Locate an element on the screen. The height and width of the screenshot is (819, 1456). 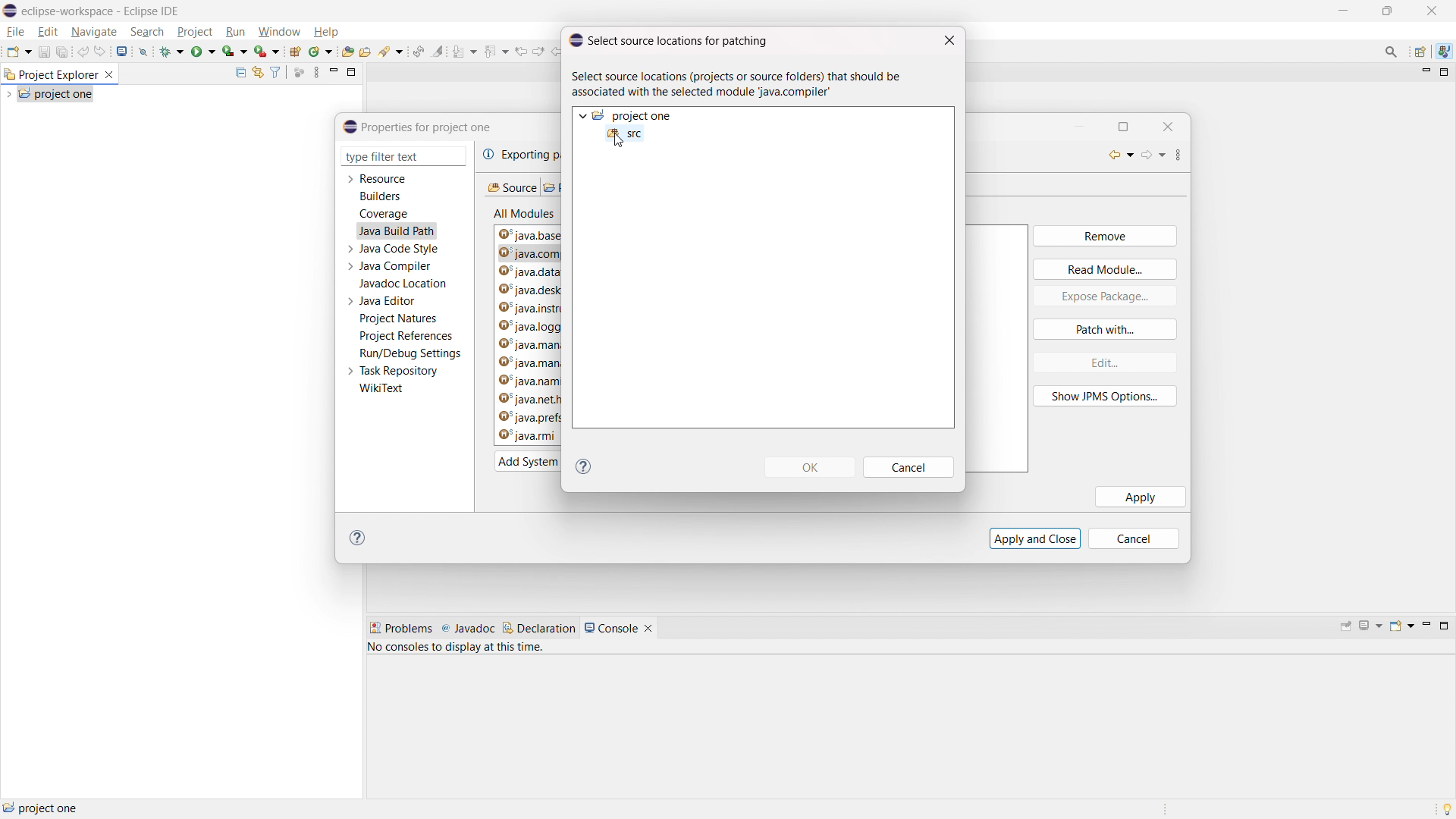
project is located at coordinates (195, 32).